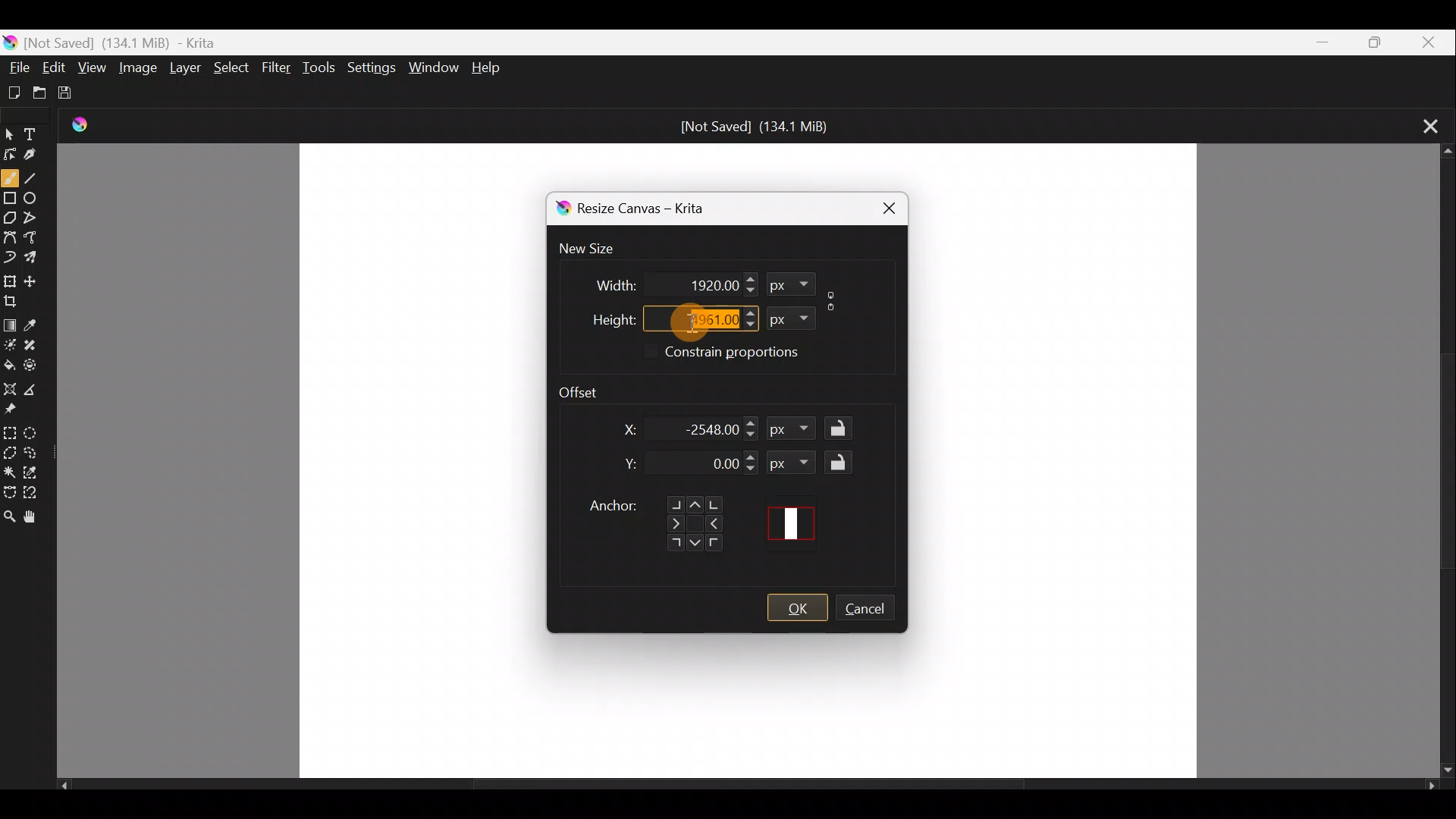 This screenshot has width=1456, height=819. Describe the element at coordinates (1370, 41) in the screenshot. I see `Maximize` at that location.